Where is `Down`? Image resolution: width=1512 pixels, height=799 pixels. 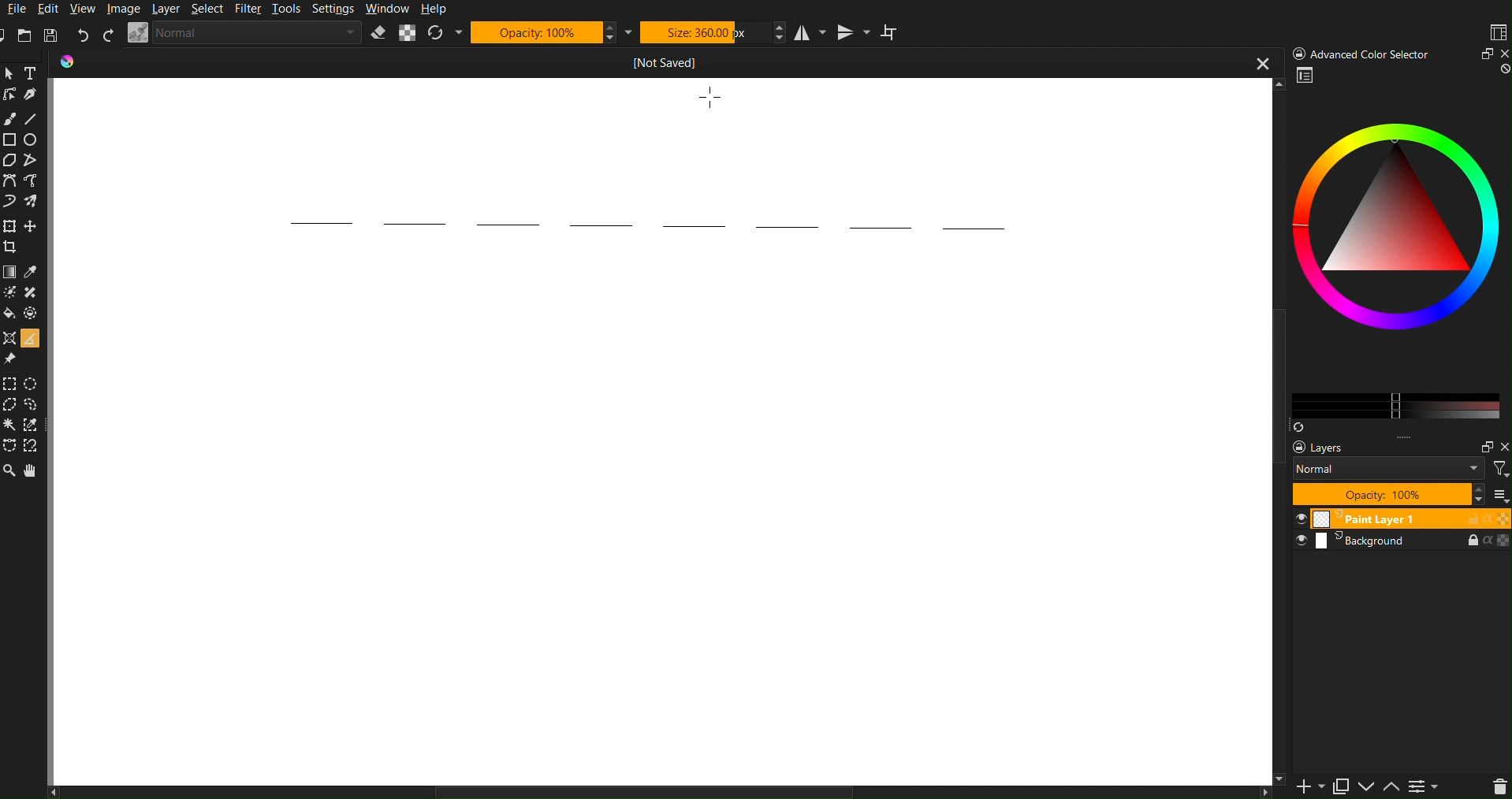
Down is located at coordinates (1371, 788).